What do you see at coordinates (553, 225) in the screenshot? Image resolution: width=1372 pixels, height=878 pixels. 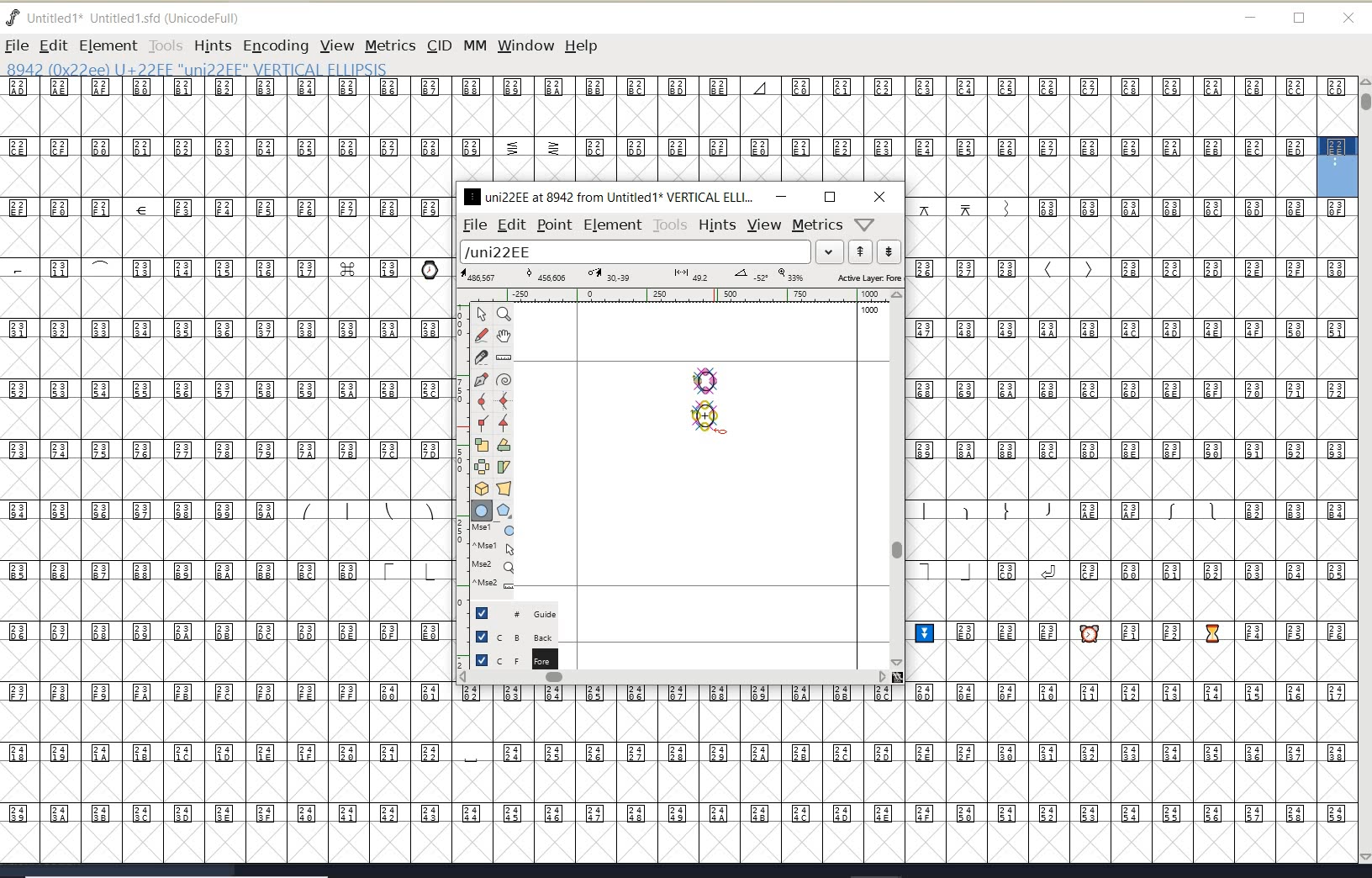 I see `point` at bounding box center [553, 225].